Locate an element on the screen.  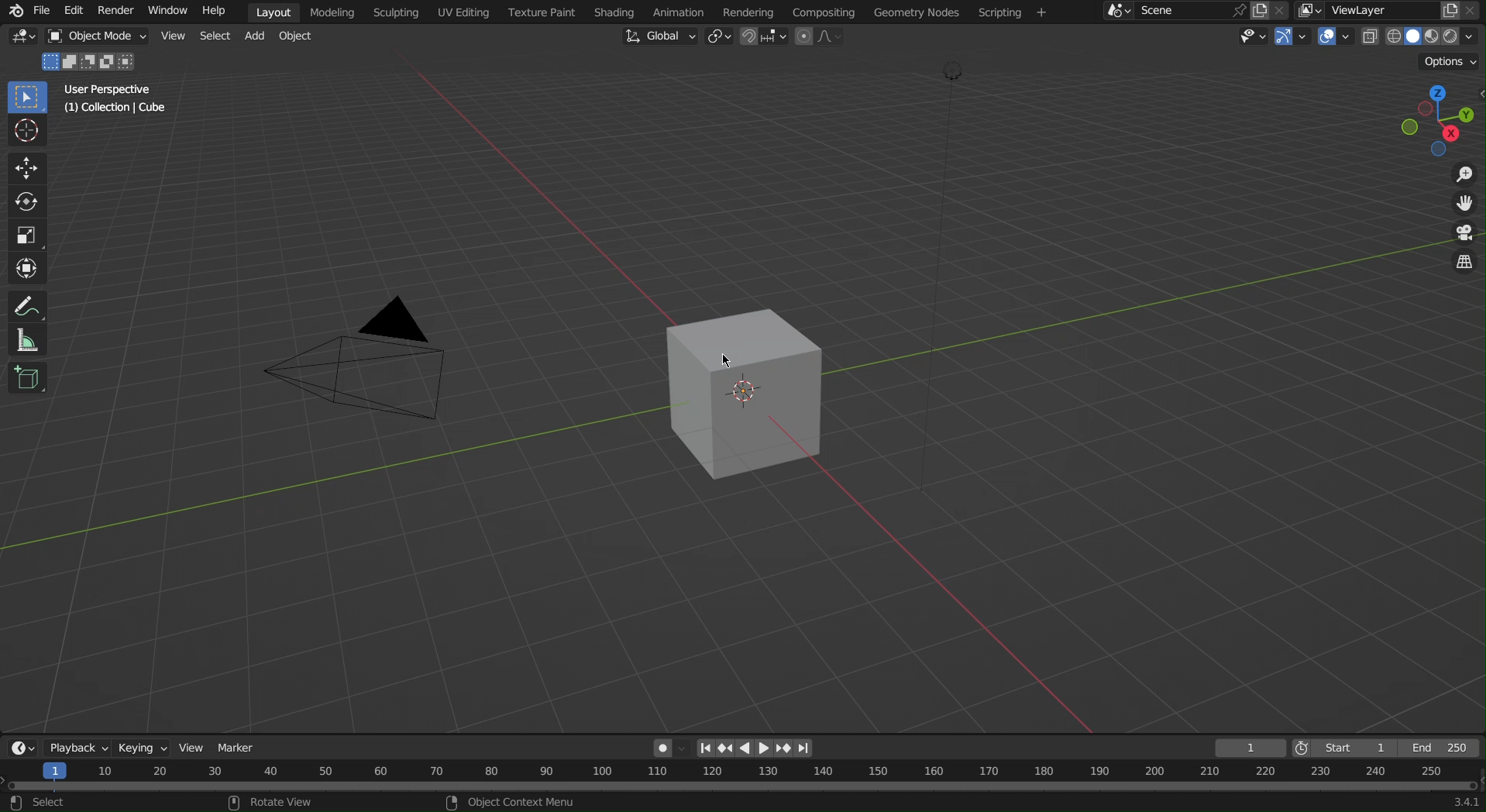
Controls is located at coordinates (758, 746).